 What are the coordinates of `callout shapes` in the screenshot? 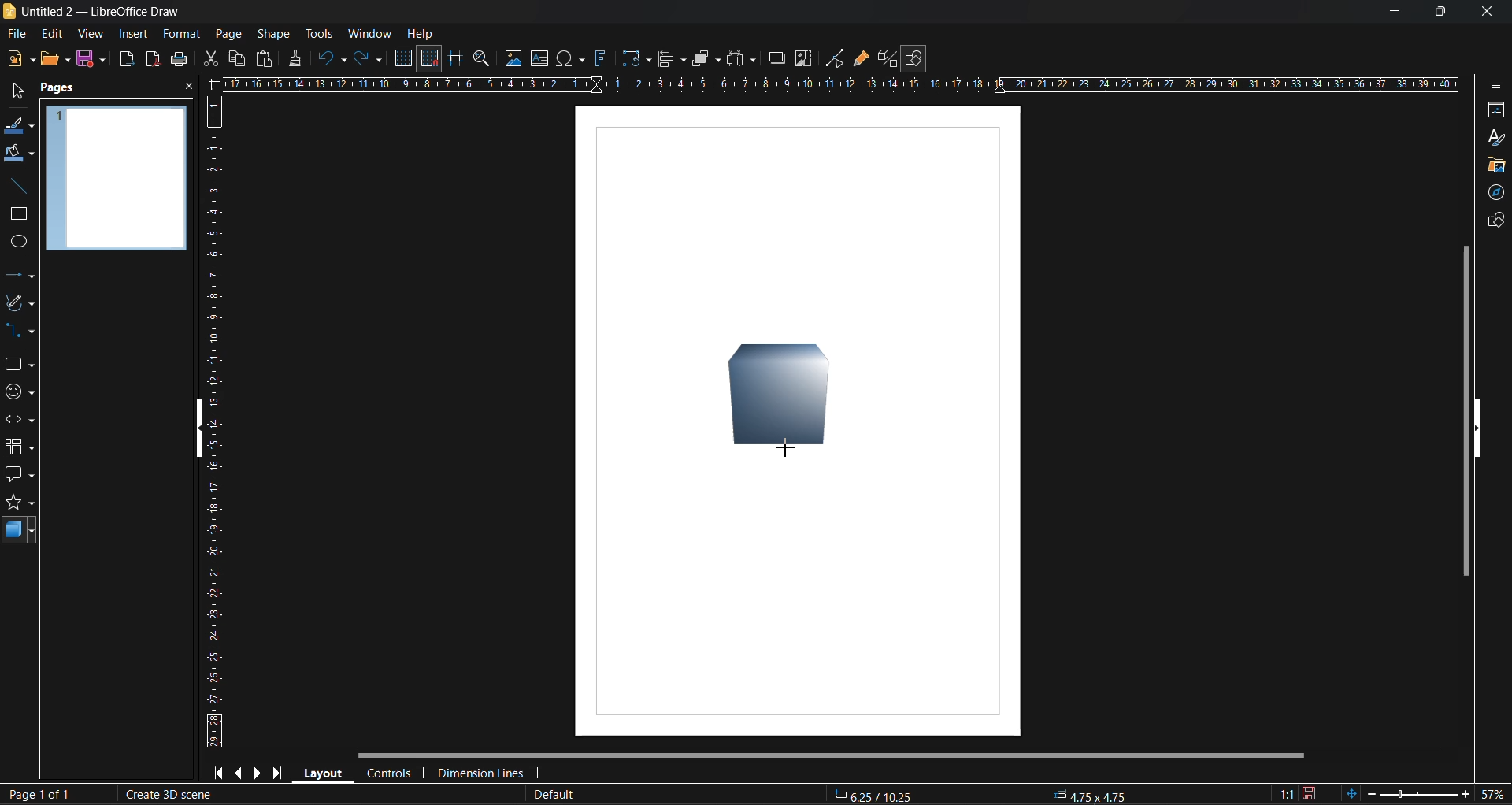 It's located at (20, 476).